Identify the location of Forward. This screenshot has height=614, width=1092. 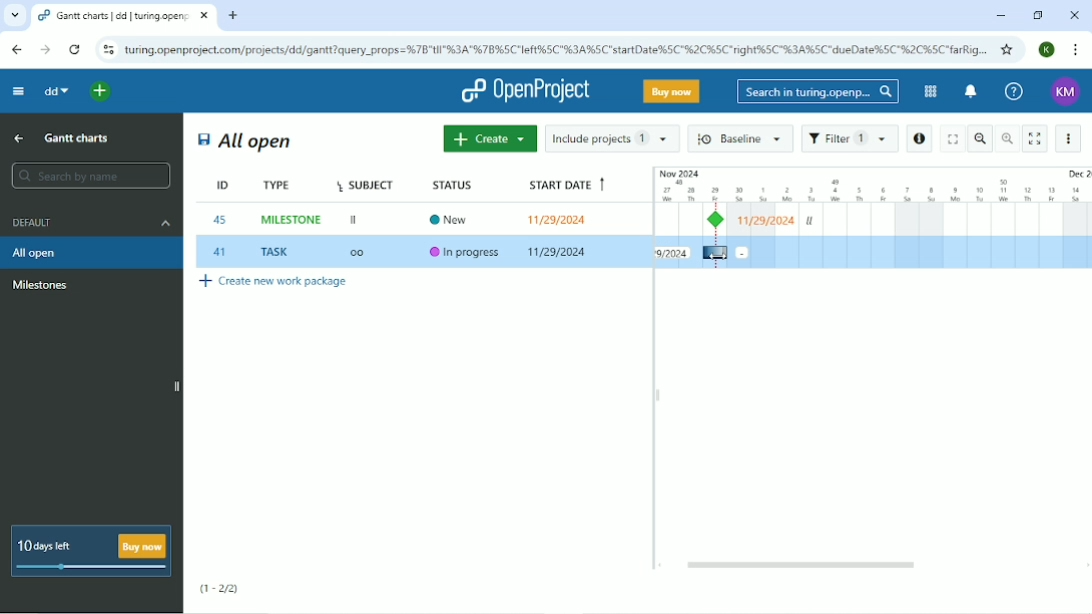
(45, 50).